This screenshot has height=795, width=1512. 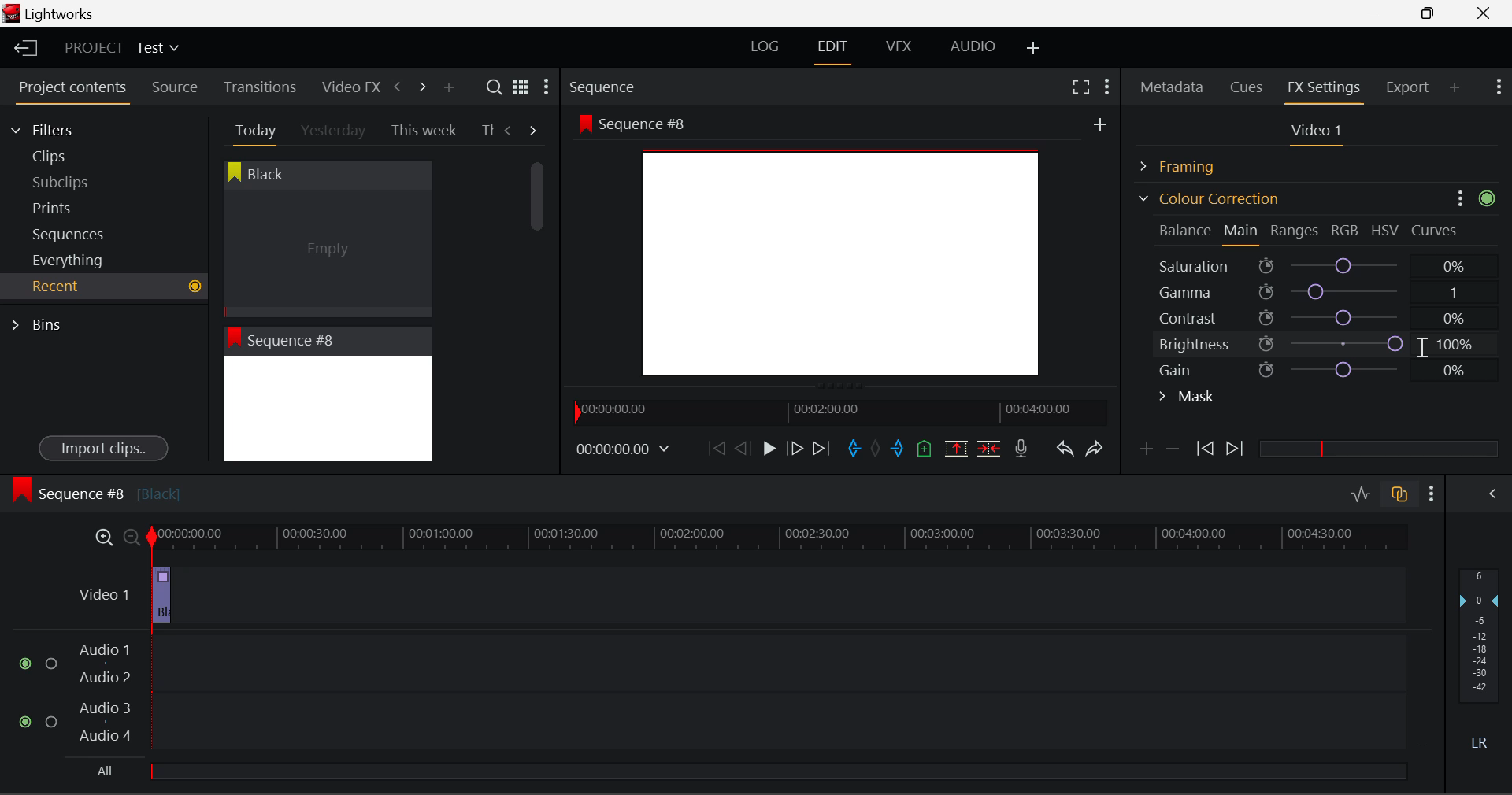 What do you see at coordinates (77, 156) in the screenshot?
I see `Clips` at bounding box center [77, 156].